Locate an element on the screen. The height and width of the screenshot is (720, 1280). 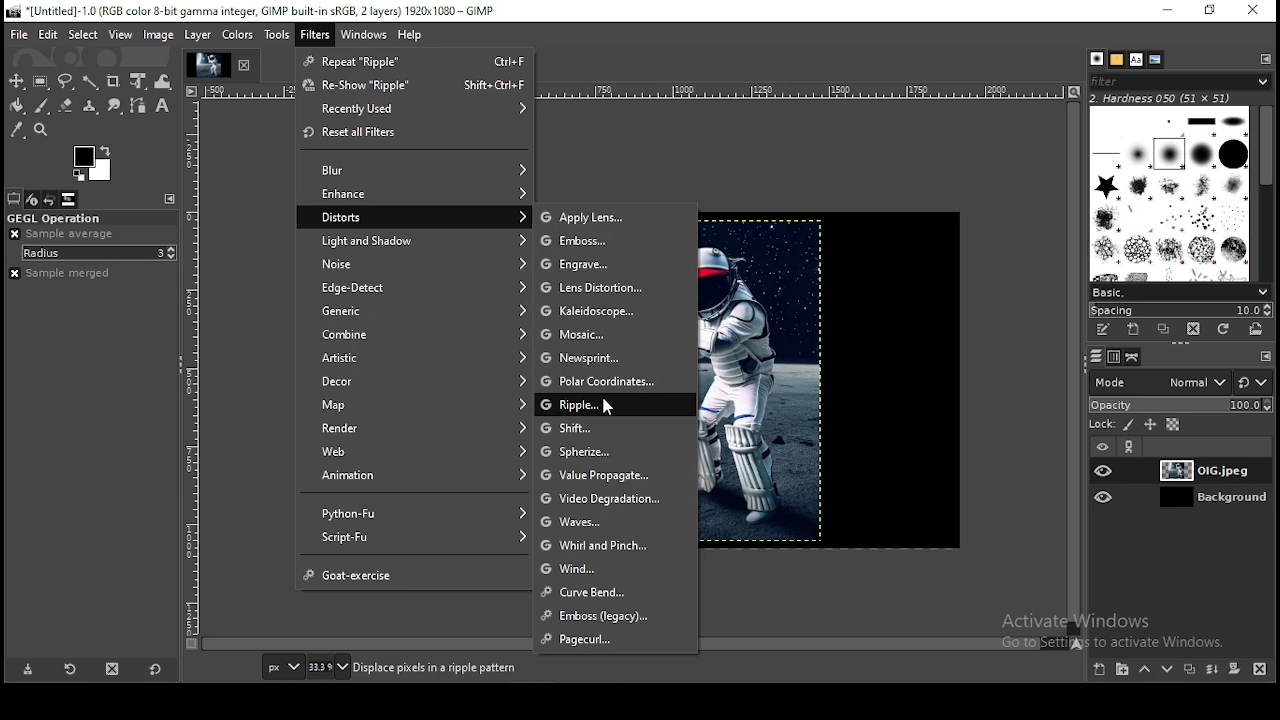
warp transform is located at coordinates (163, 80).